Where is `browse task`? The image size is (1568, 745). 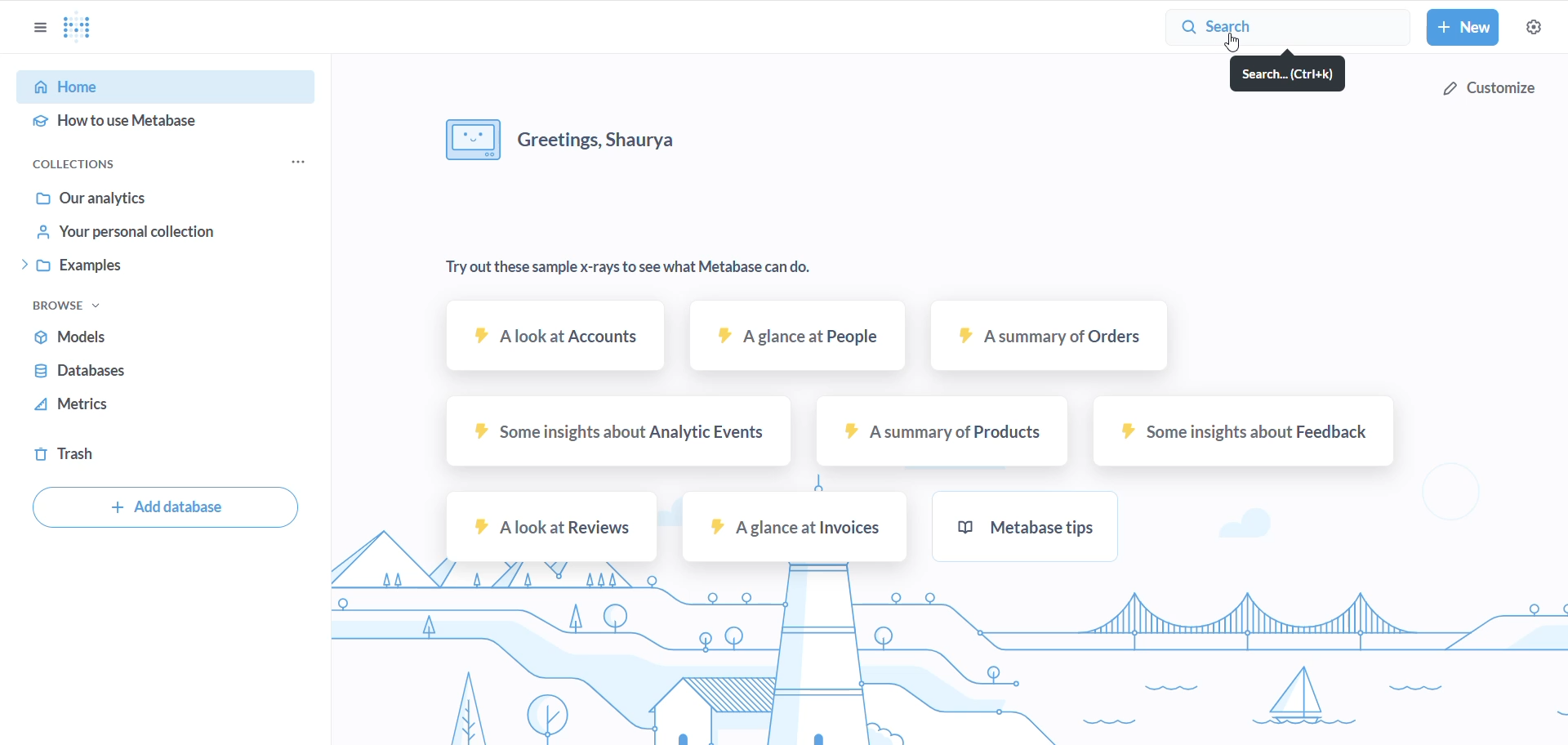 browse task is located at coordinates (71, 305).